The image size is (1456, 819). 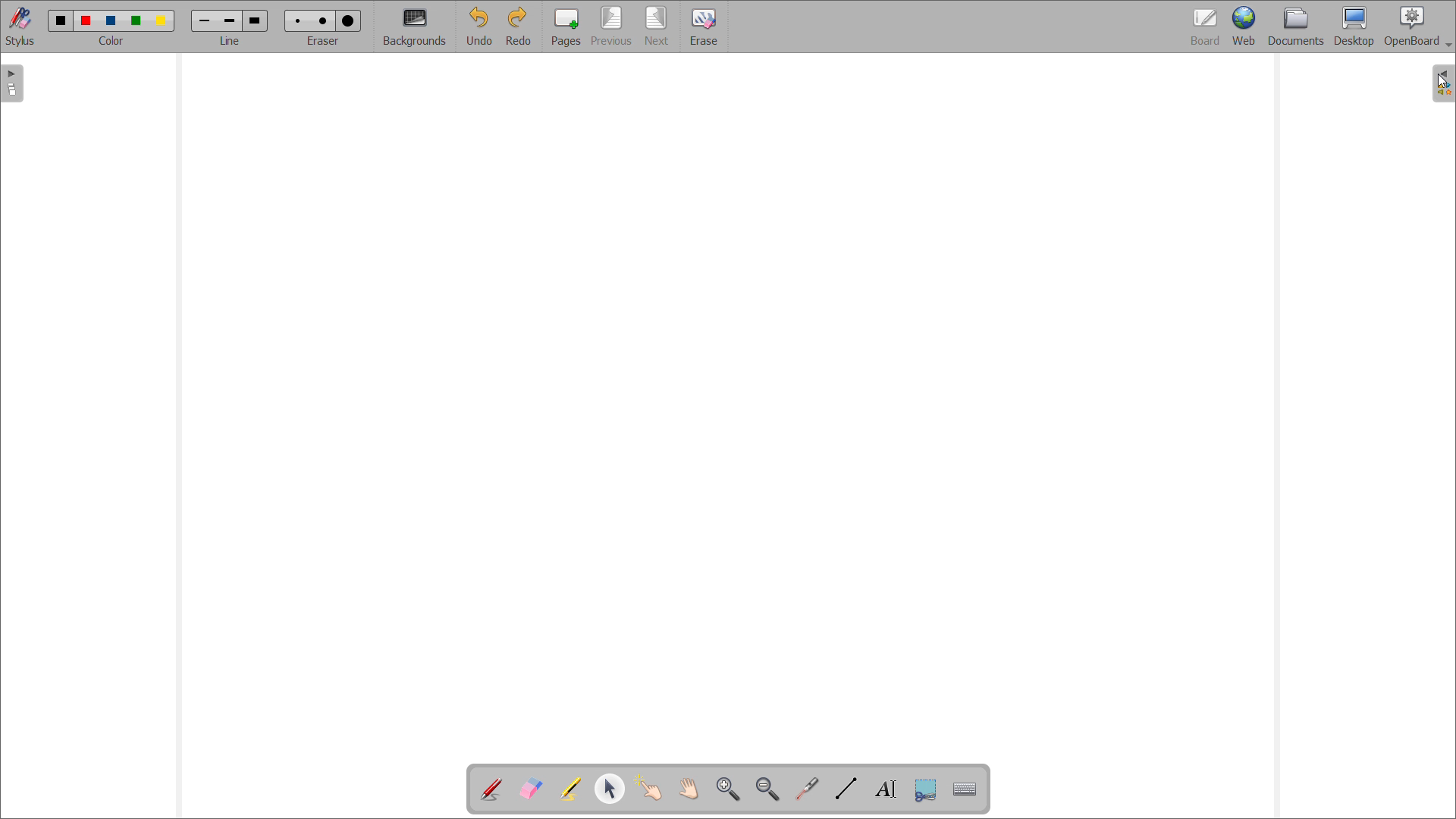 I want to click on pages, so click(x=566, y=27).